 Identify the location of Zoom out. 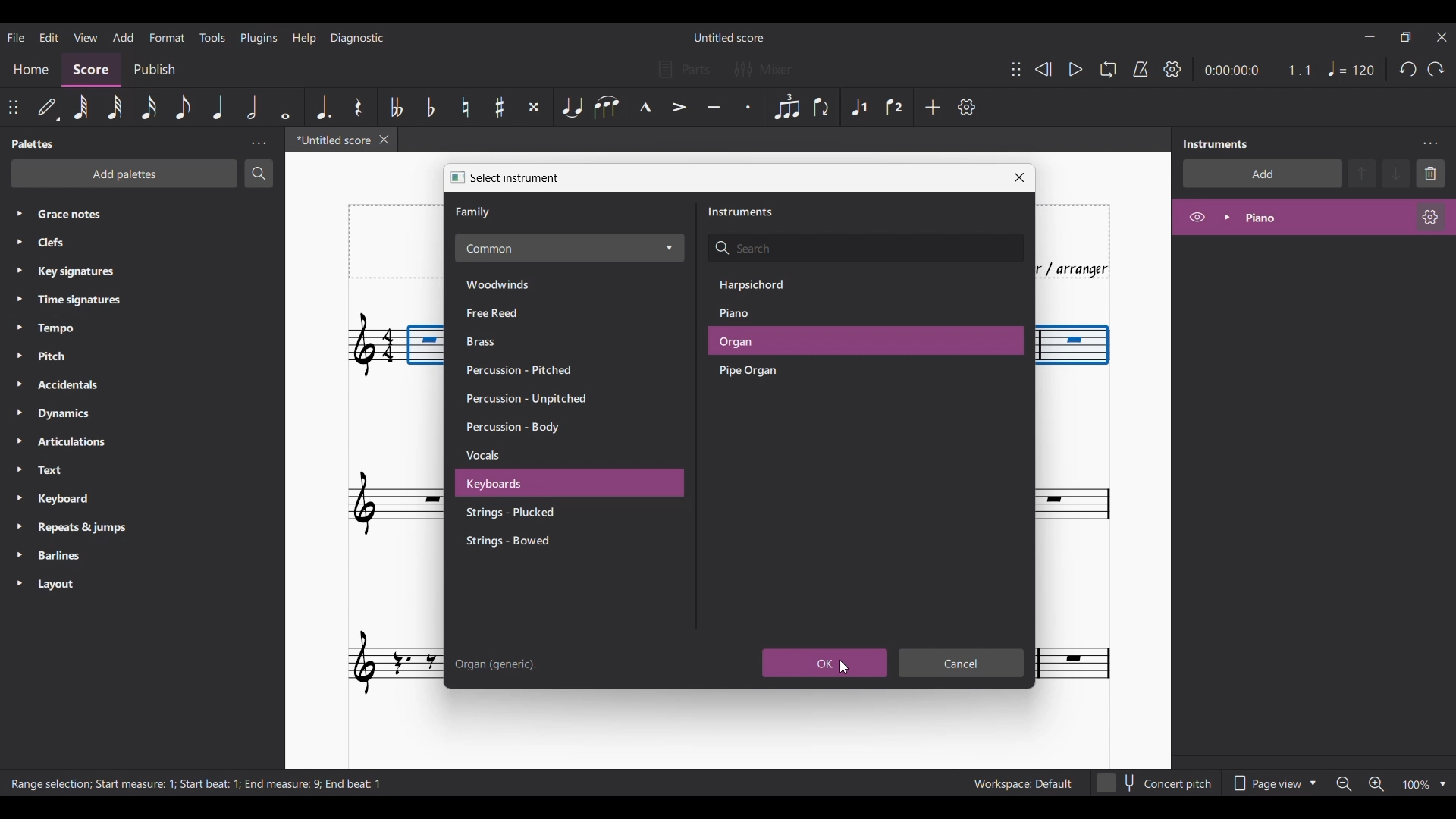
(1344, 785).